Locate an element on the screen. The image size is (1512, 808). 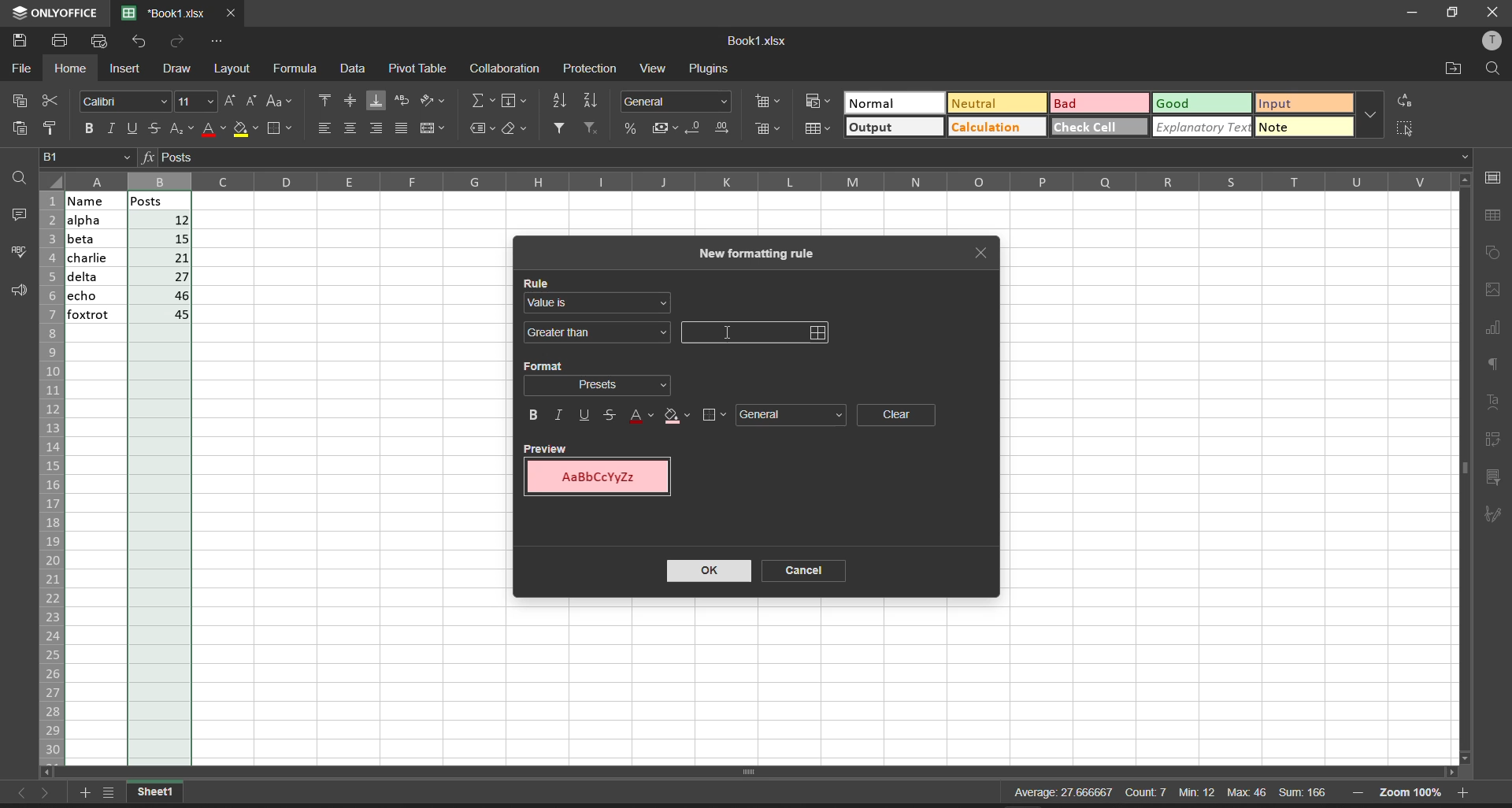
font is located at coordinates (125, 101).